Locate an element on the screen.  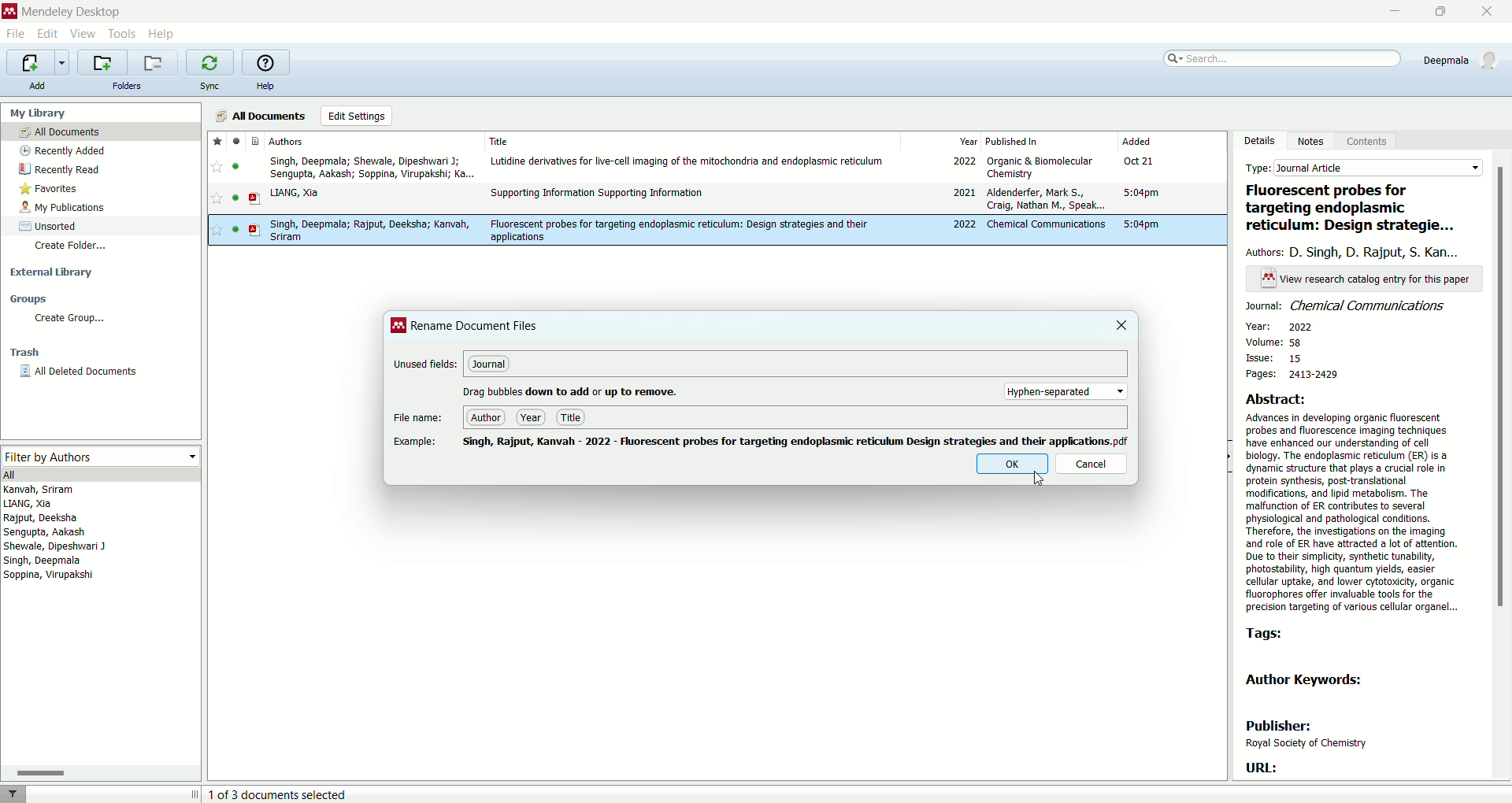
year is located at coordinates (942, 140).